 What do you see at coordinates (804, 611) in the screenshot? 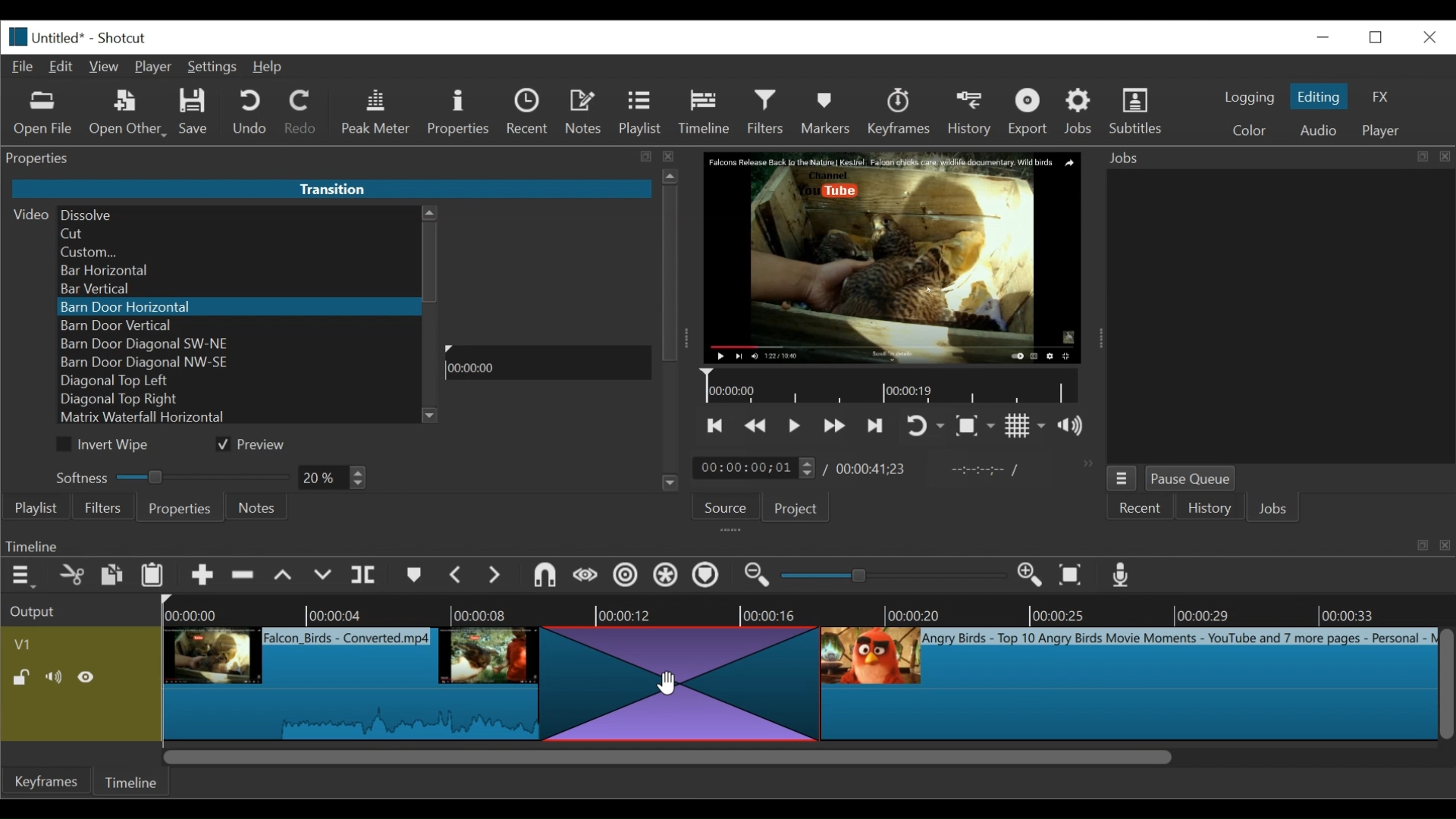
I see `Zoom Timeline` at bounding box center [804, 611].